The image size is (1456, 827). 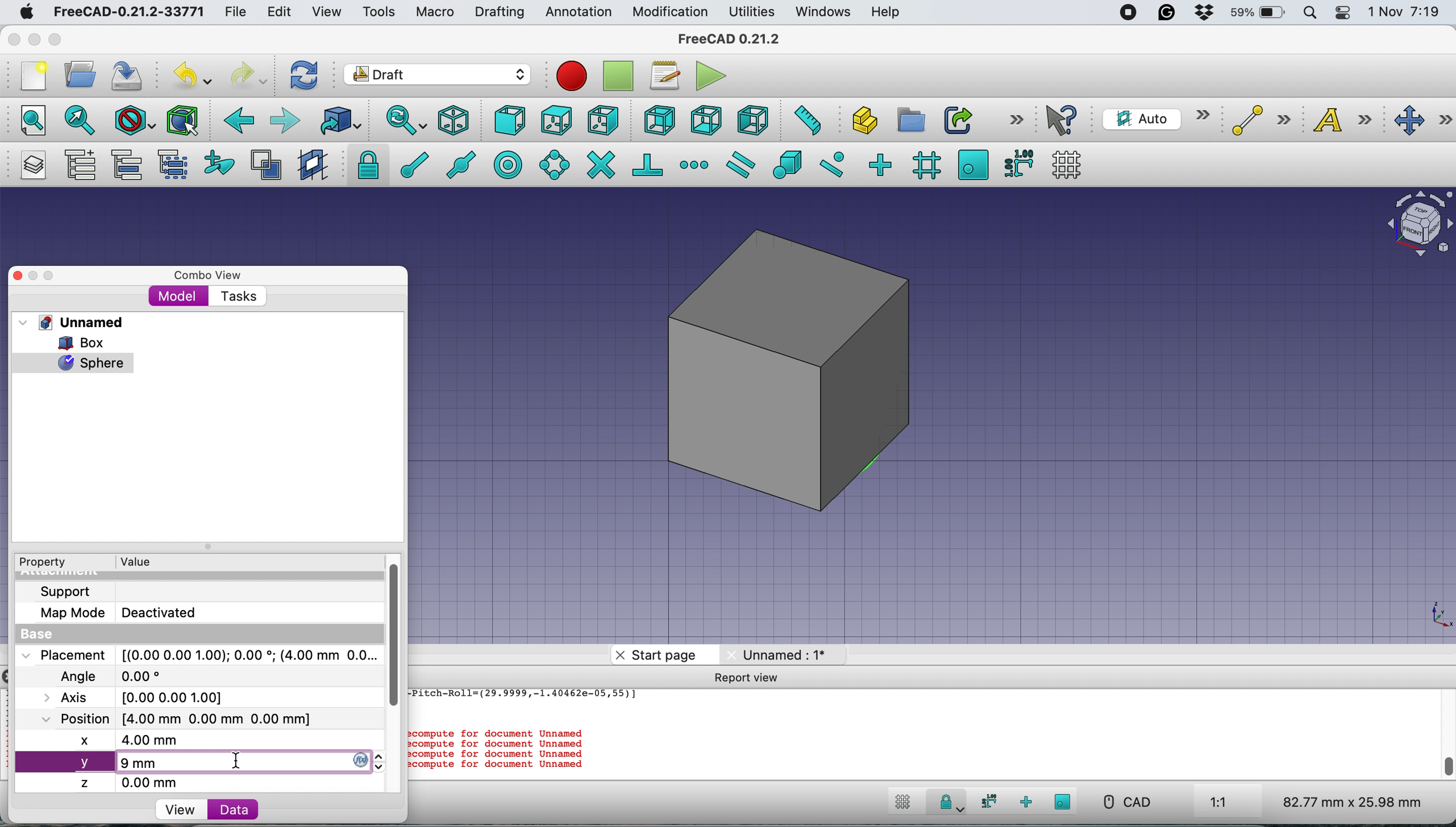 I want to click on move, so click(x=1424, y=121).